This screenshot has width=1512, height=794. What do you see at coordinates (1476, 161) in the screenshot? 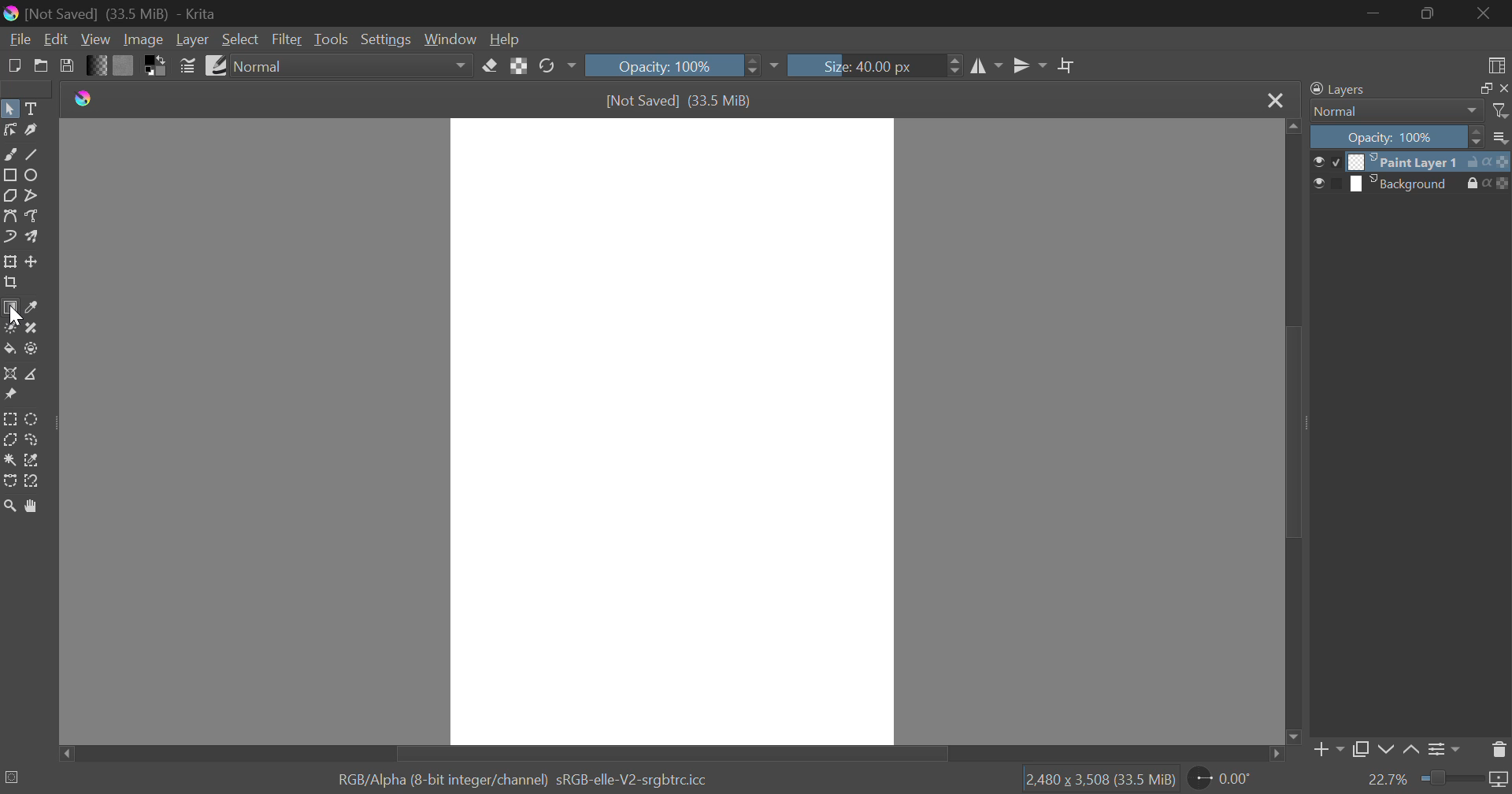
I see `unlock` at bounding box center [1476, 161].